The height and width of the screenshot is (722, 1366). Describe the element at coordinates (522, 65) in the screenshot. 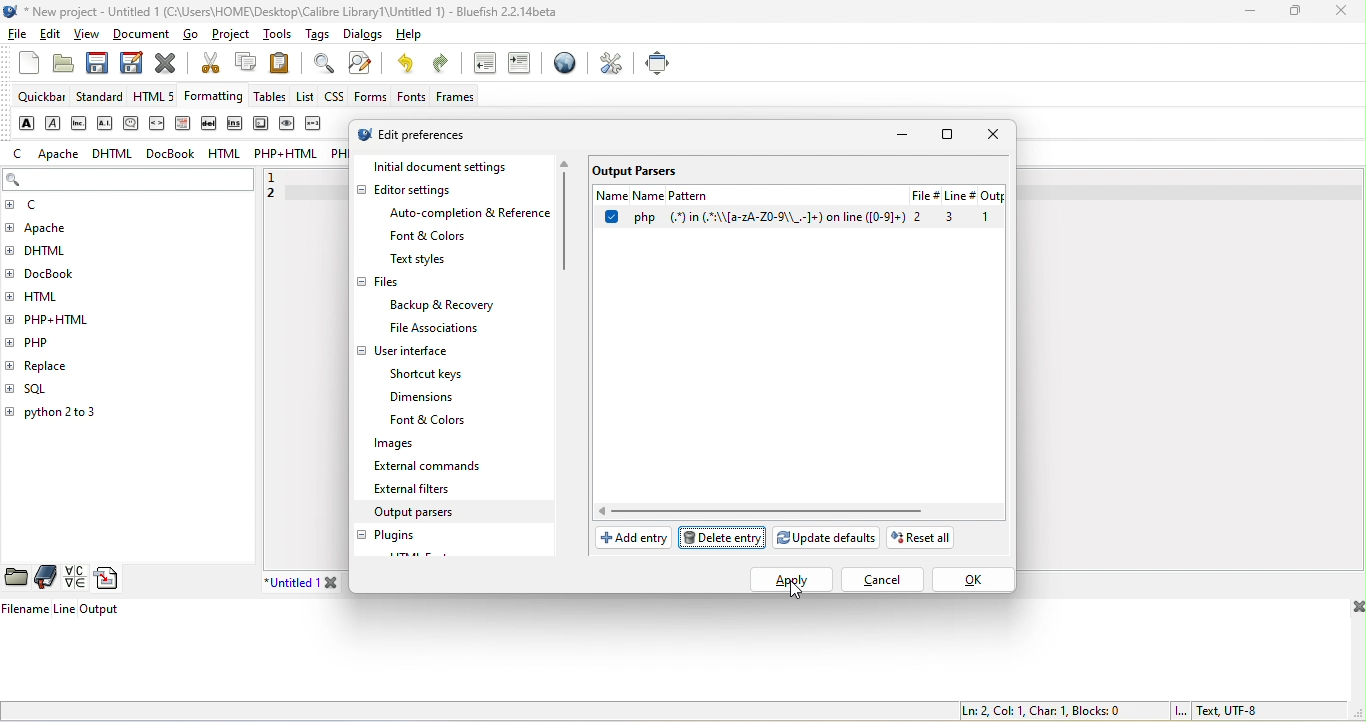

I see `indent` at that location.